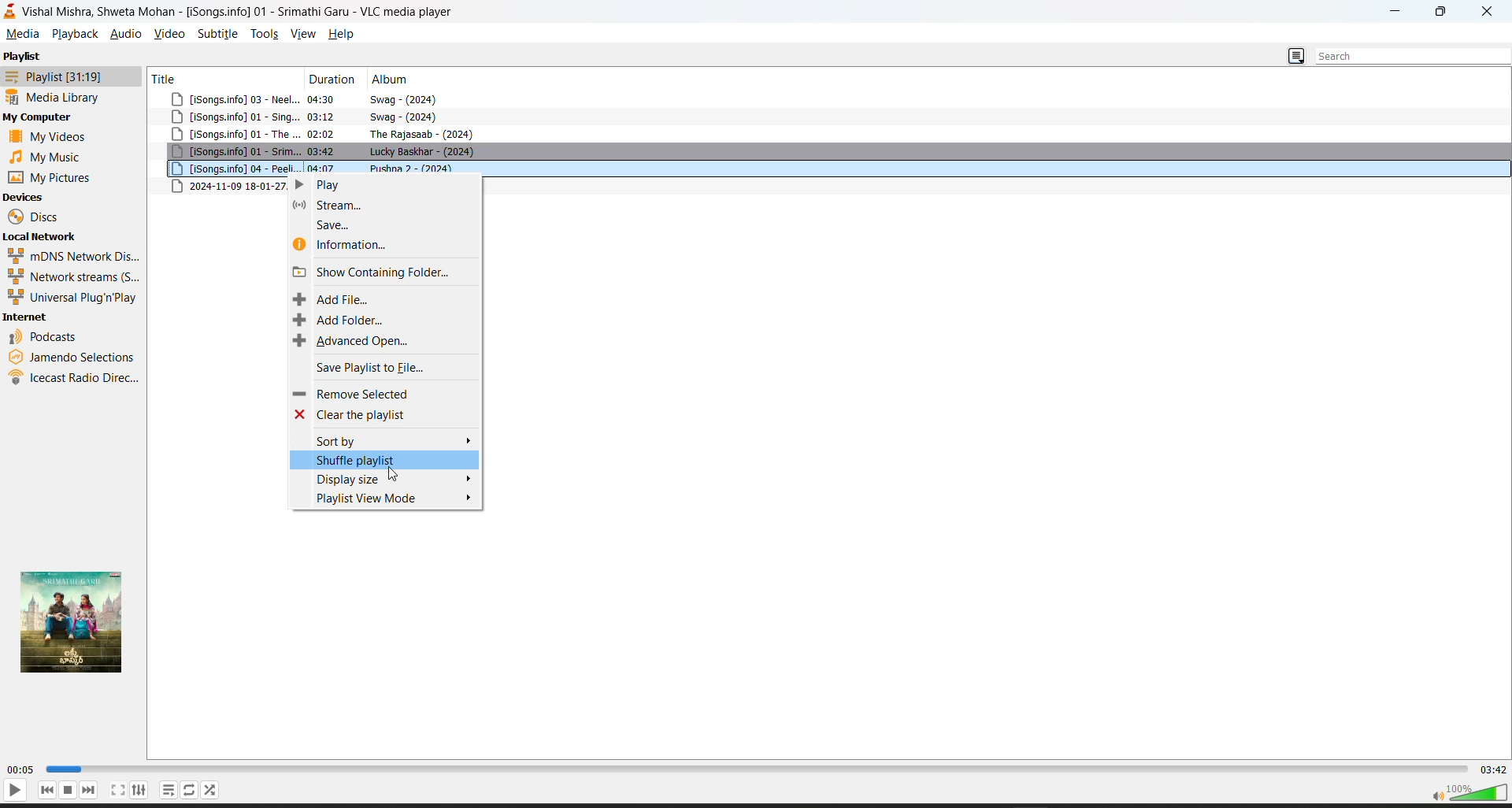 The height and width of the screenshot is (808, 1512). What do you see at coordinates (1413, 54) in the screenshot?
I see `search` at bounding box center [1413, 54].